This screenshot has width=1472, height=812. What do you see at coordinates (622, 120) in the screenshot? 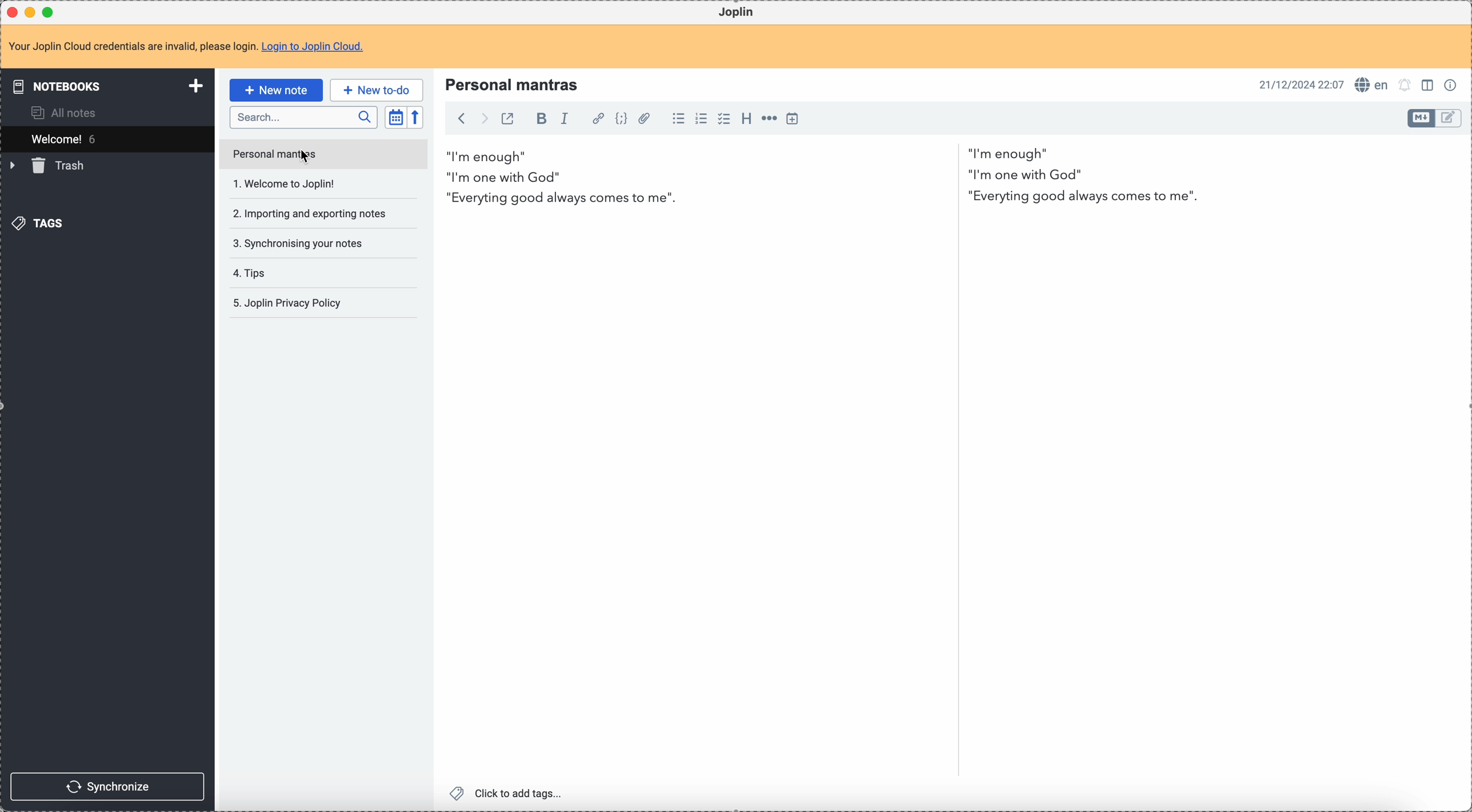
I see `code` at bounding box center [622, 120].